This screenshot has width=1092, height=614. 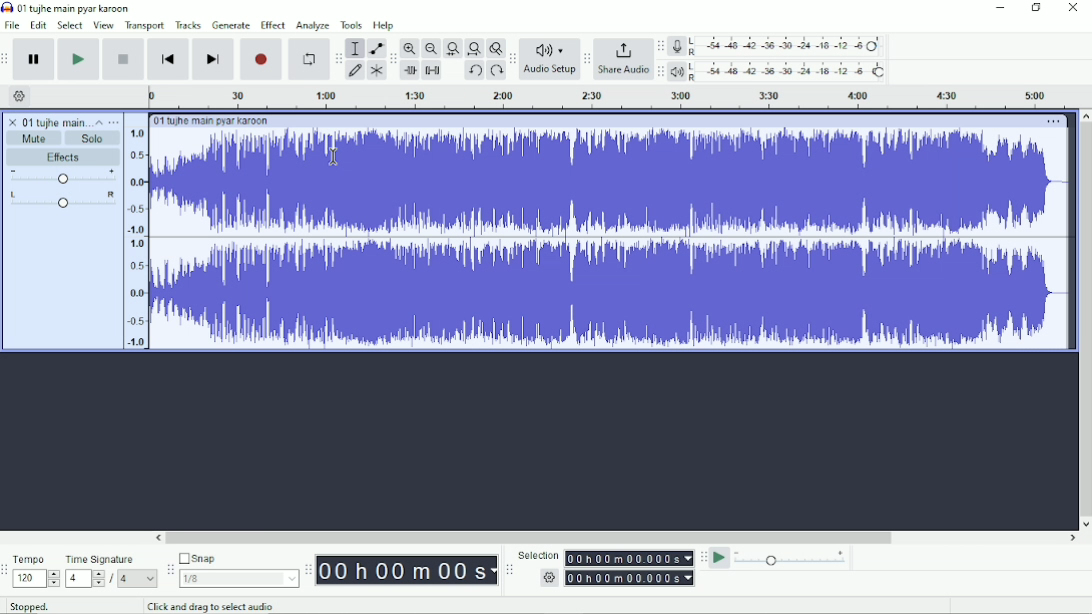 I want to click on Vertical scrollbar, so click(x=1085, y=313).